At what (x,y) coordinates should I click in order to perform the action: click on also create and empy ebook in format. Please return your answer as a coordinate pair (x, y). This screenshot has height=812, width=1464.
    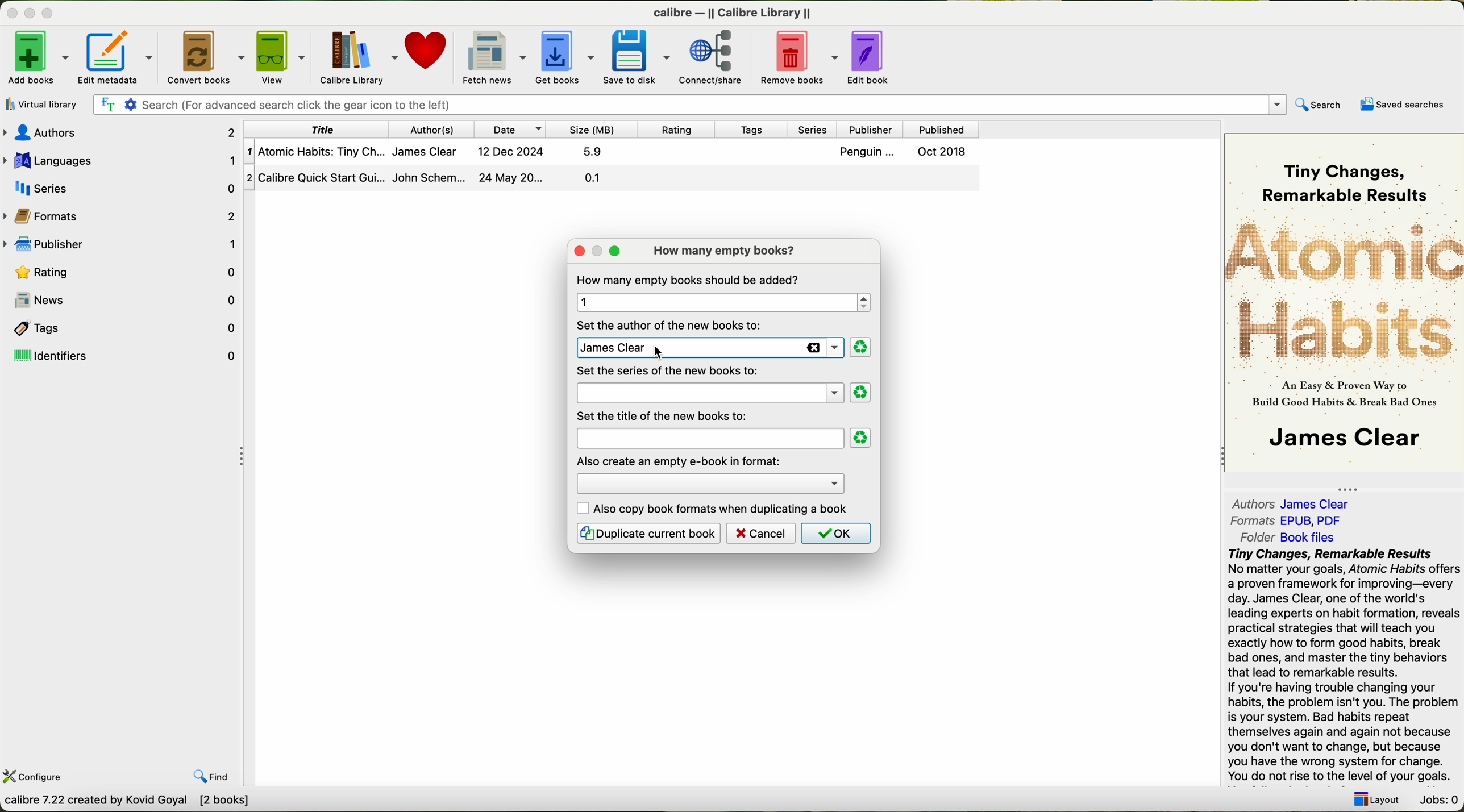
    Looking at the image, I should click on (680, 460).